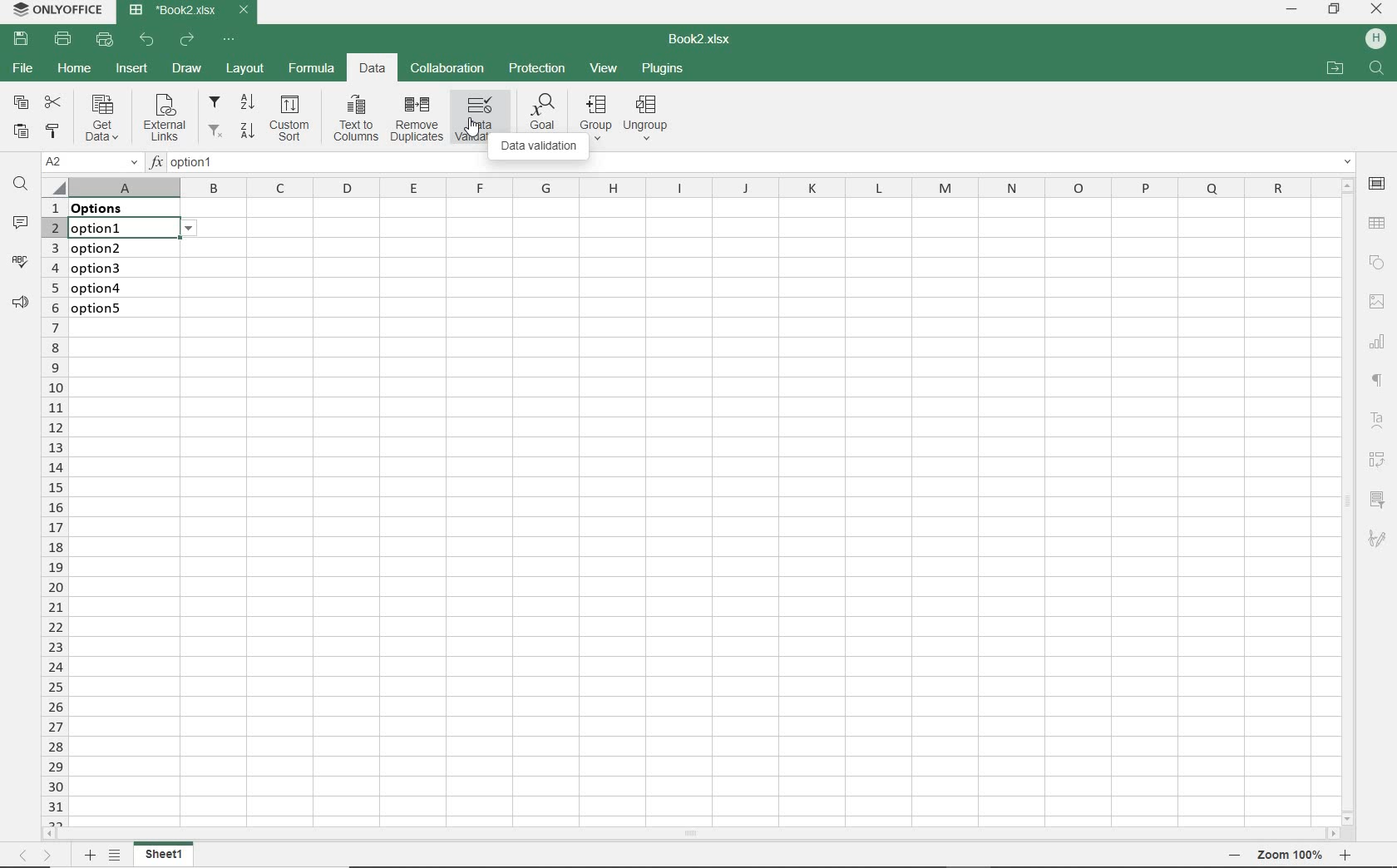  I want to click on SCROLLBAR, so click(1348, 501).